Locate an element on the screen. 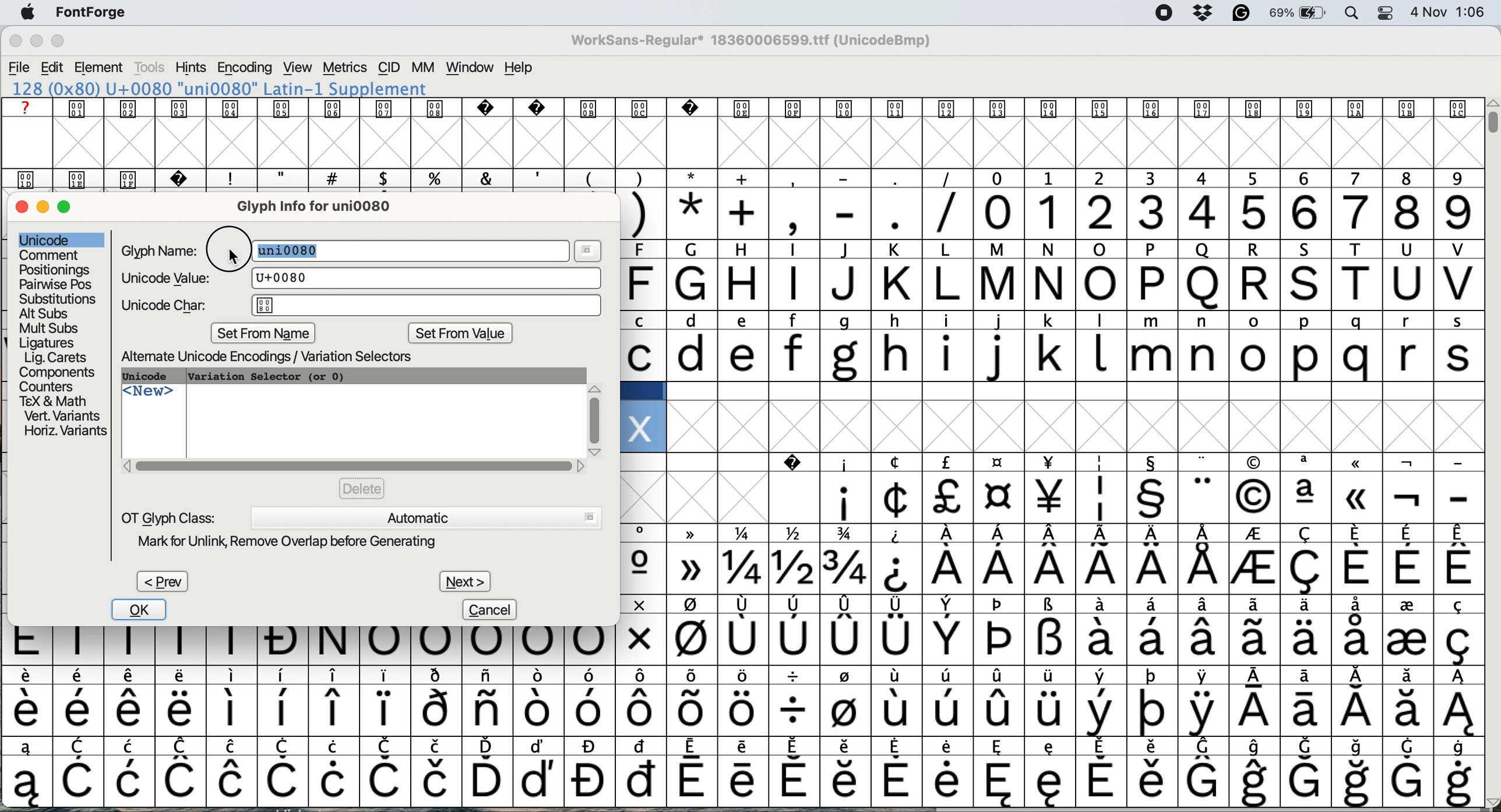 This screenshot has width=1501, height=812. control center is located at coordinates (1383, 12).